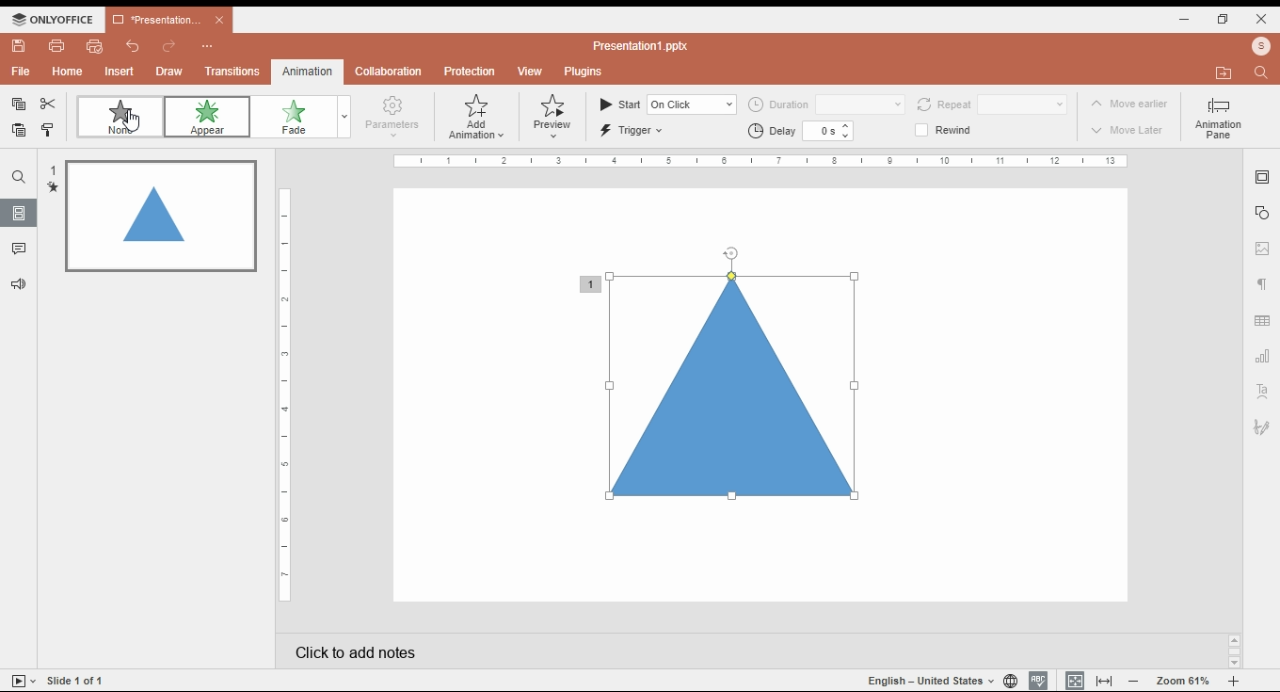 The width and height of the screenshot is (1280, 692). Describe the element at coordinates (1077, 681) in the screenshot. I see `fit to slide` at that location.